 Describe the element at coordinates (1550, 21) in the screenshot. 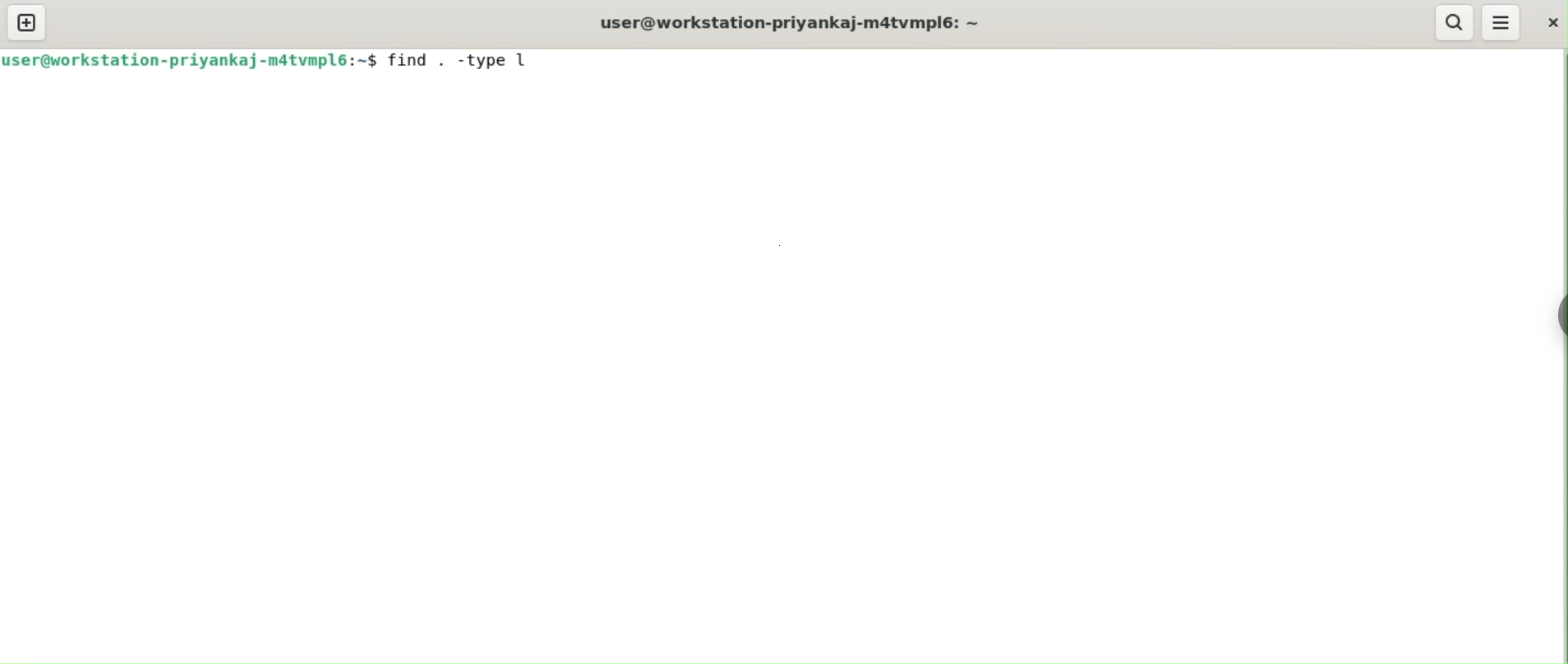

I see `close` at that location.